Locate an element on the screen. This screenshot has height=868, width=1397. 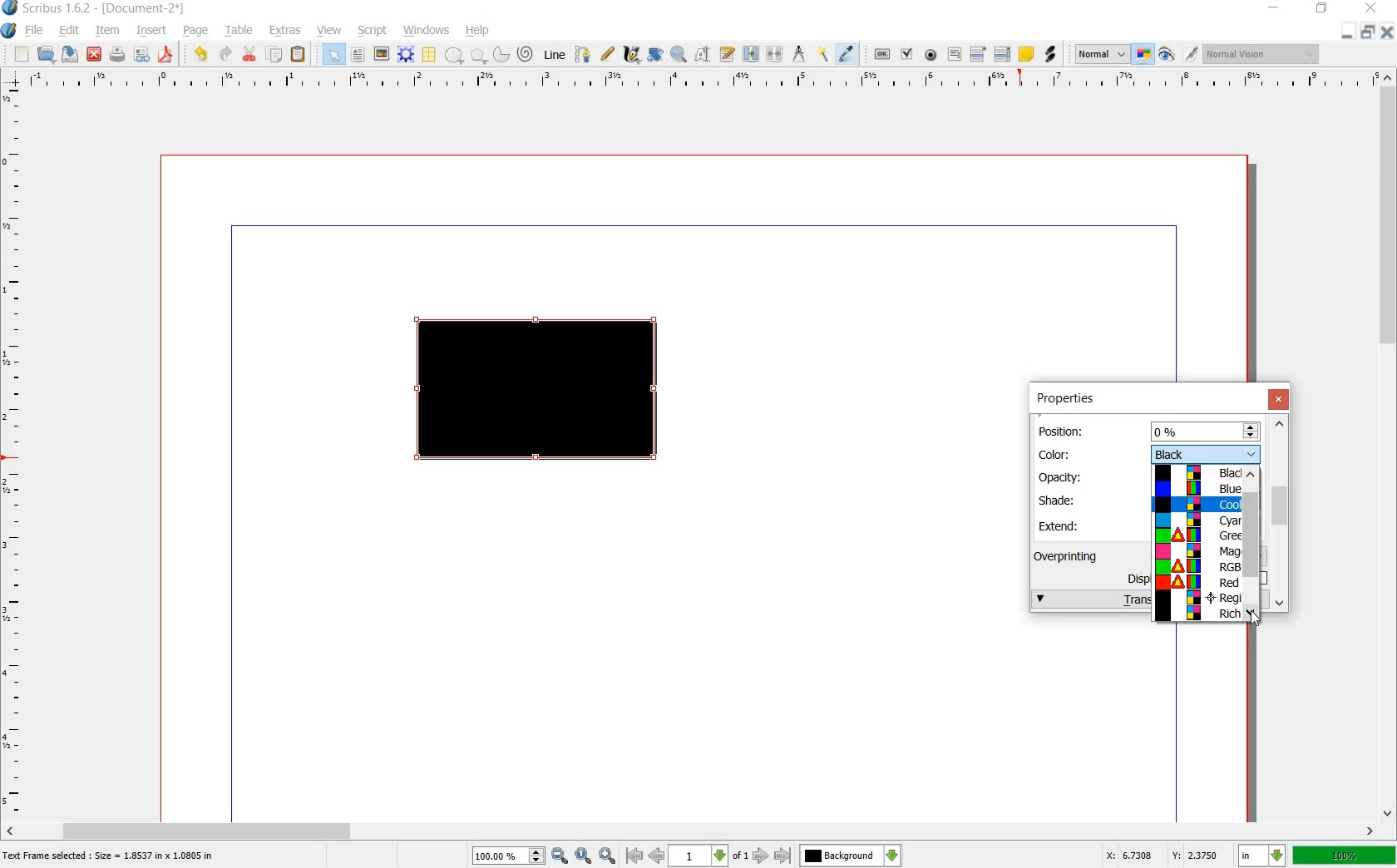
of 1 is located at coordinates (739, 857).